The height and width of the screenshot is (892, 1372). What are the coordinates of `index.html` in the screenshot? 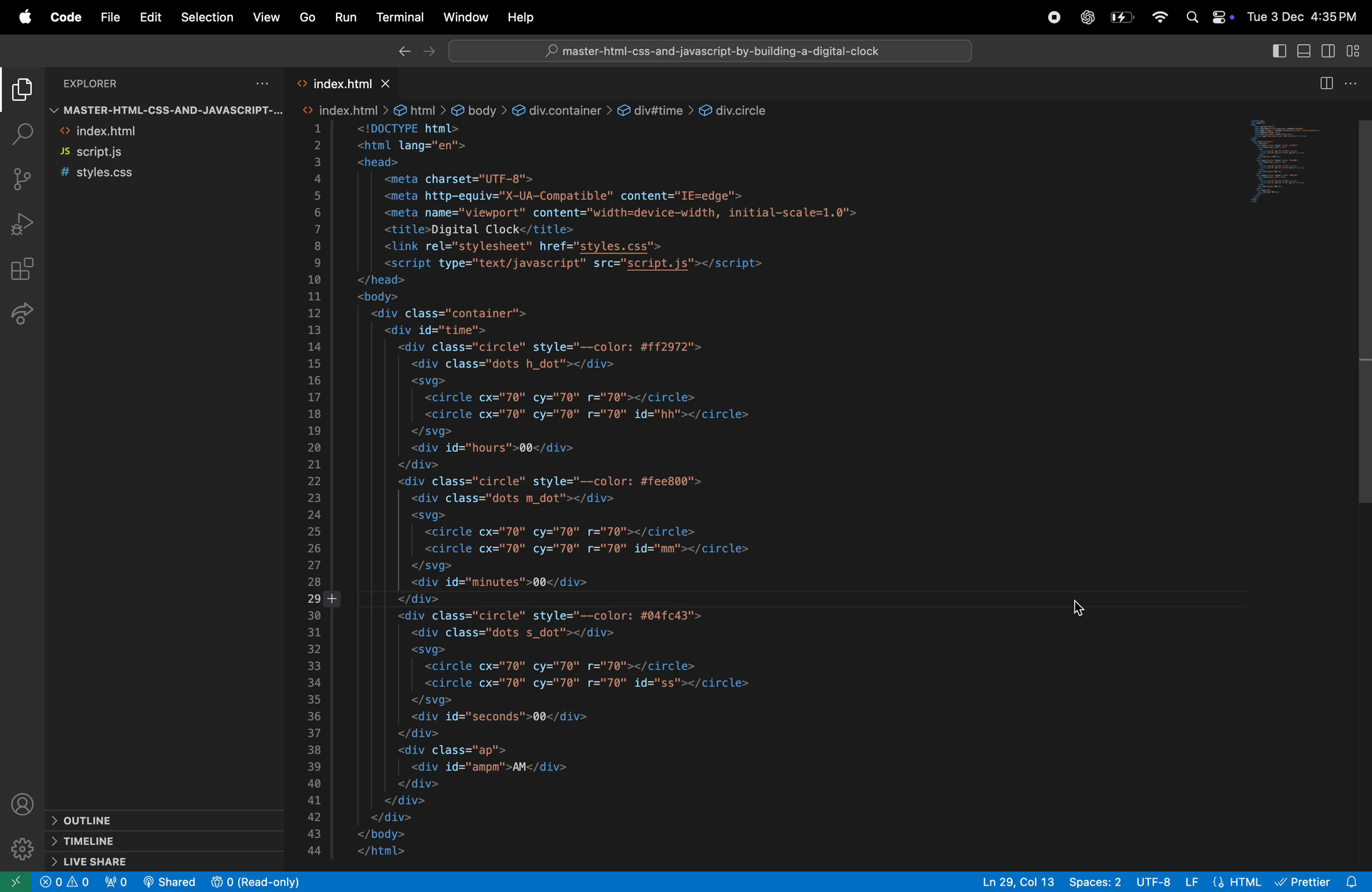 It's located at (139, 132).